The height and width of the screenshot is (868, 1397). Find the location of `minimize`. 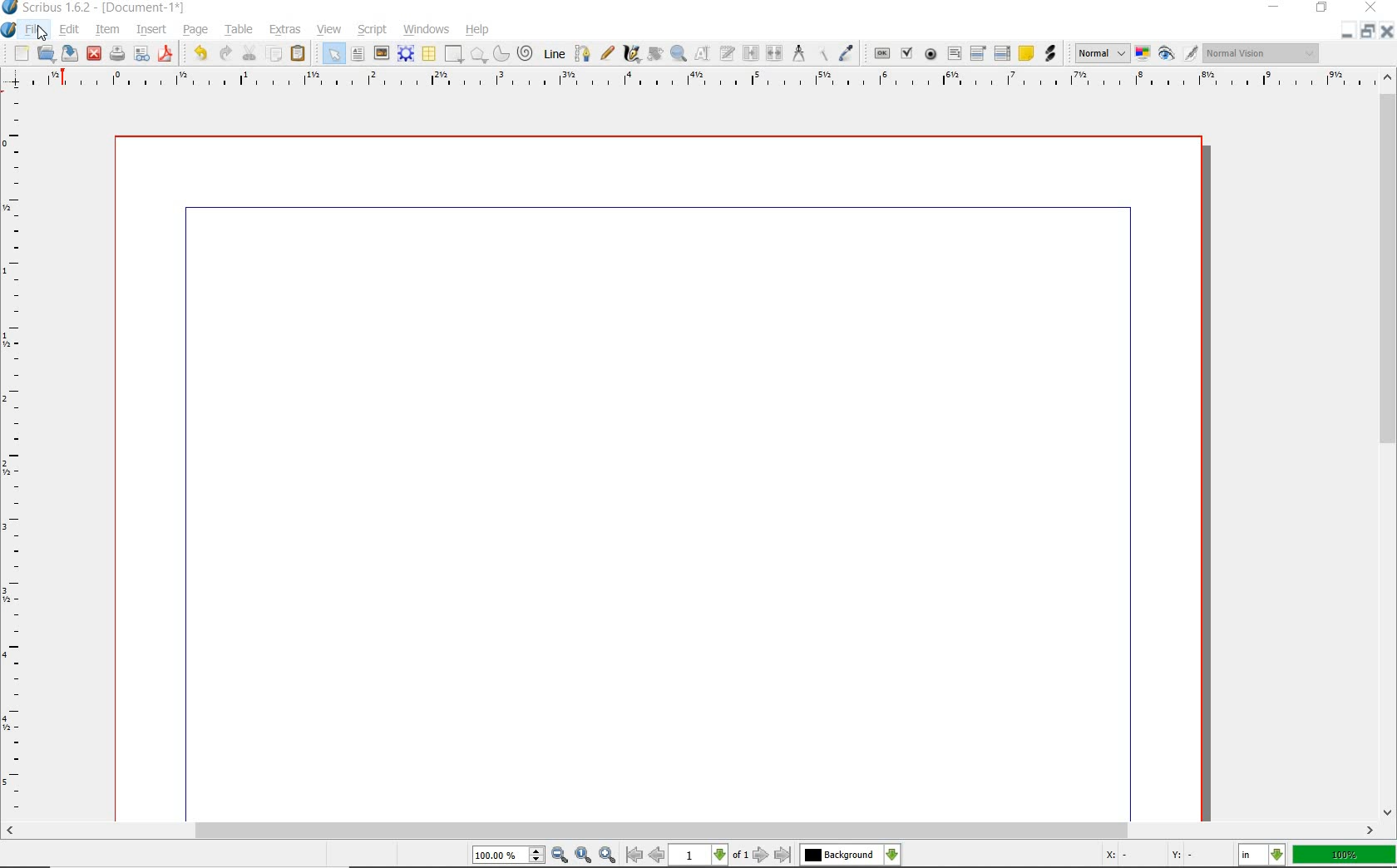

minimize is located at coordinates (1348, 33).